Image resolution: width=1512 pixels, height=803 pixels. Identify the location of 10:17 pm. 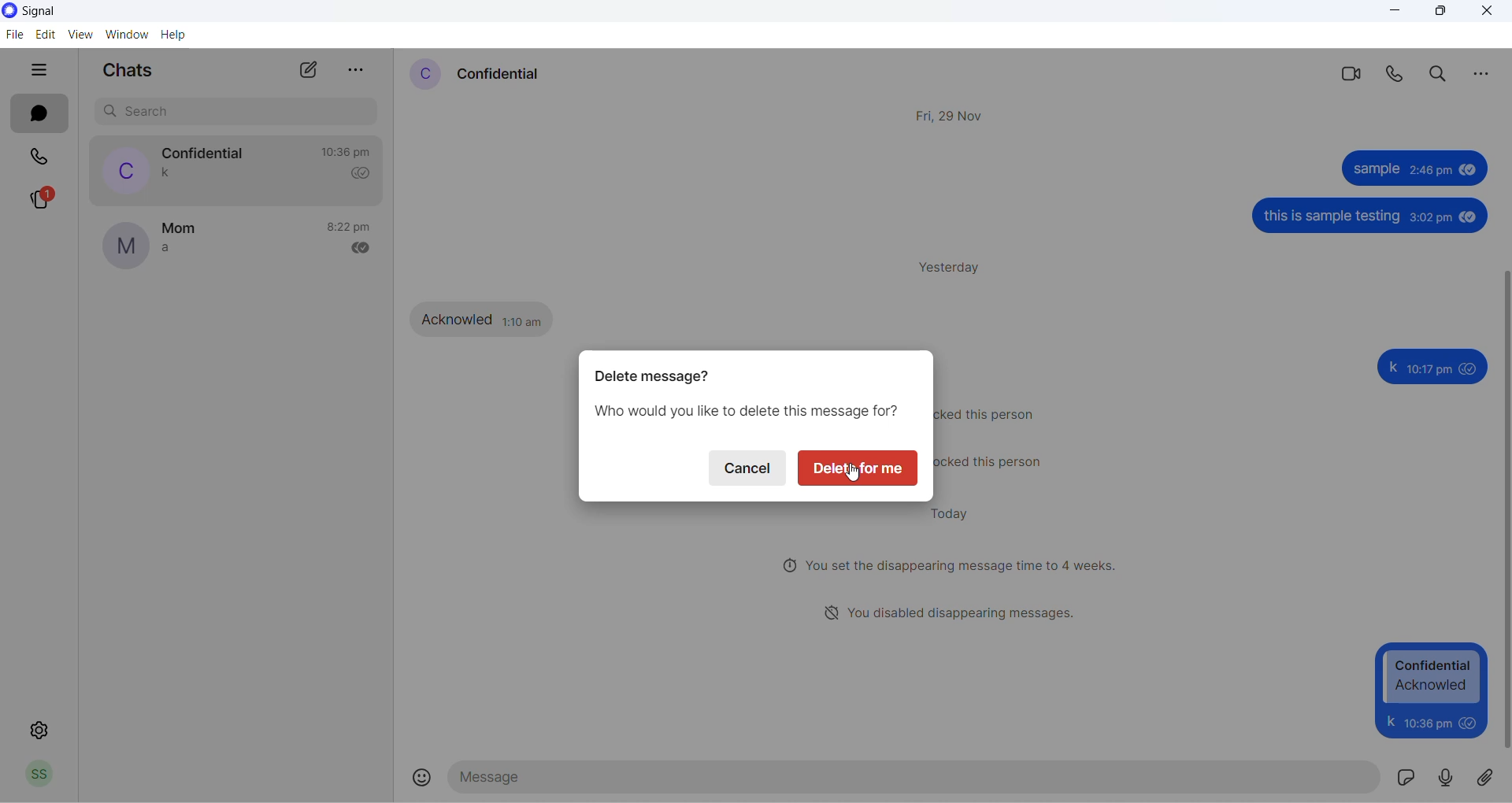
(1430, 722).